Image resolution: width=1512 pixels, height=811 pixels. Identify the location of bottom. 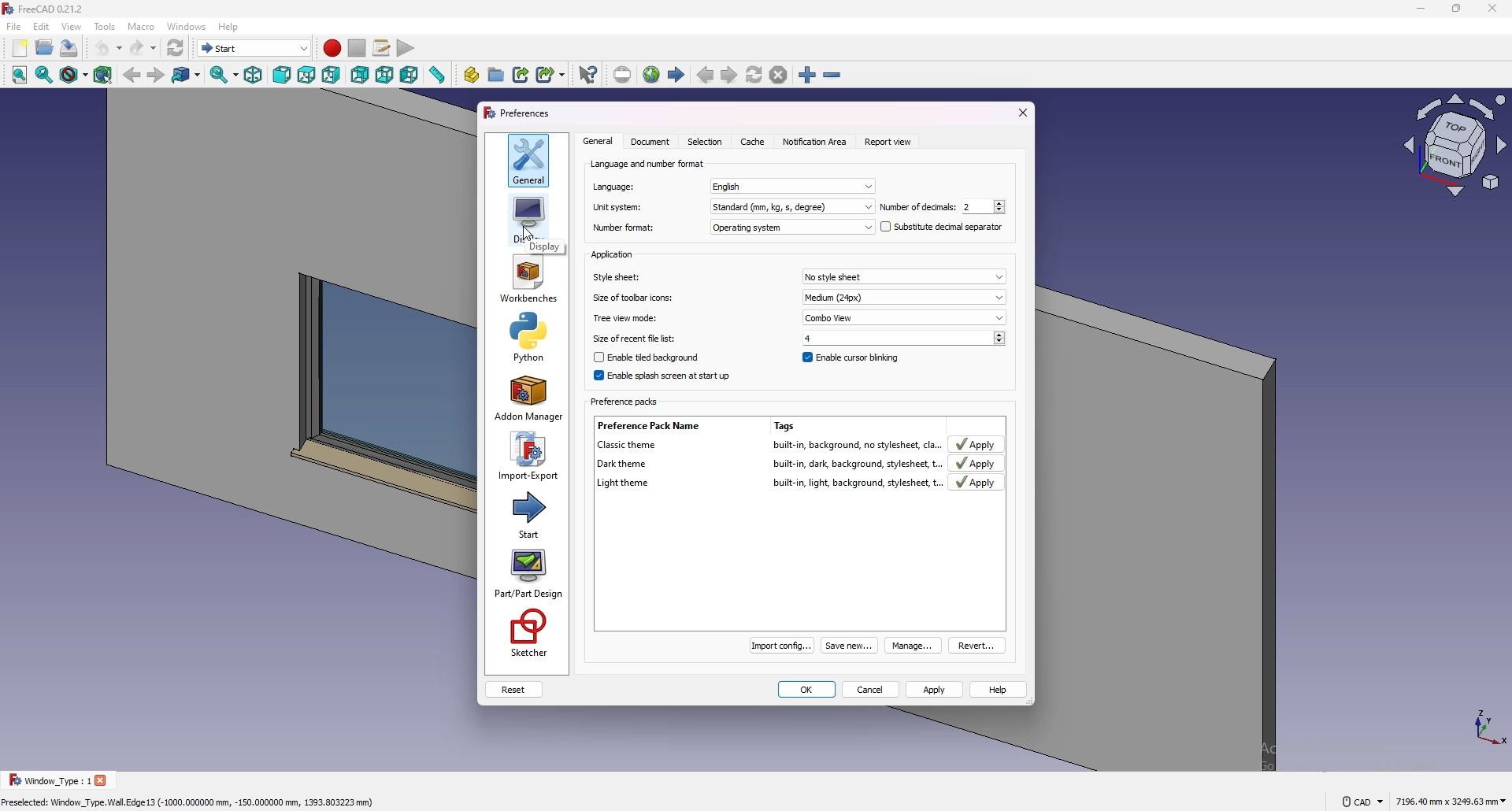
(385, 76).